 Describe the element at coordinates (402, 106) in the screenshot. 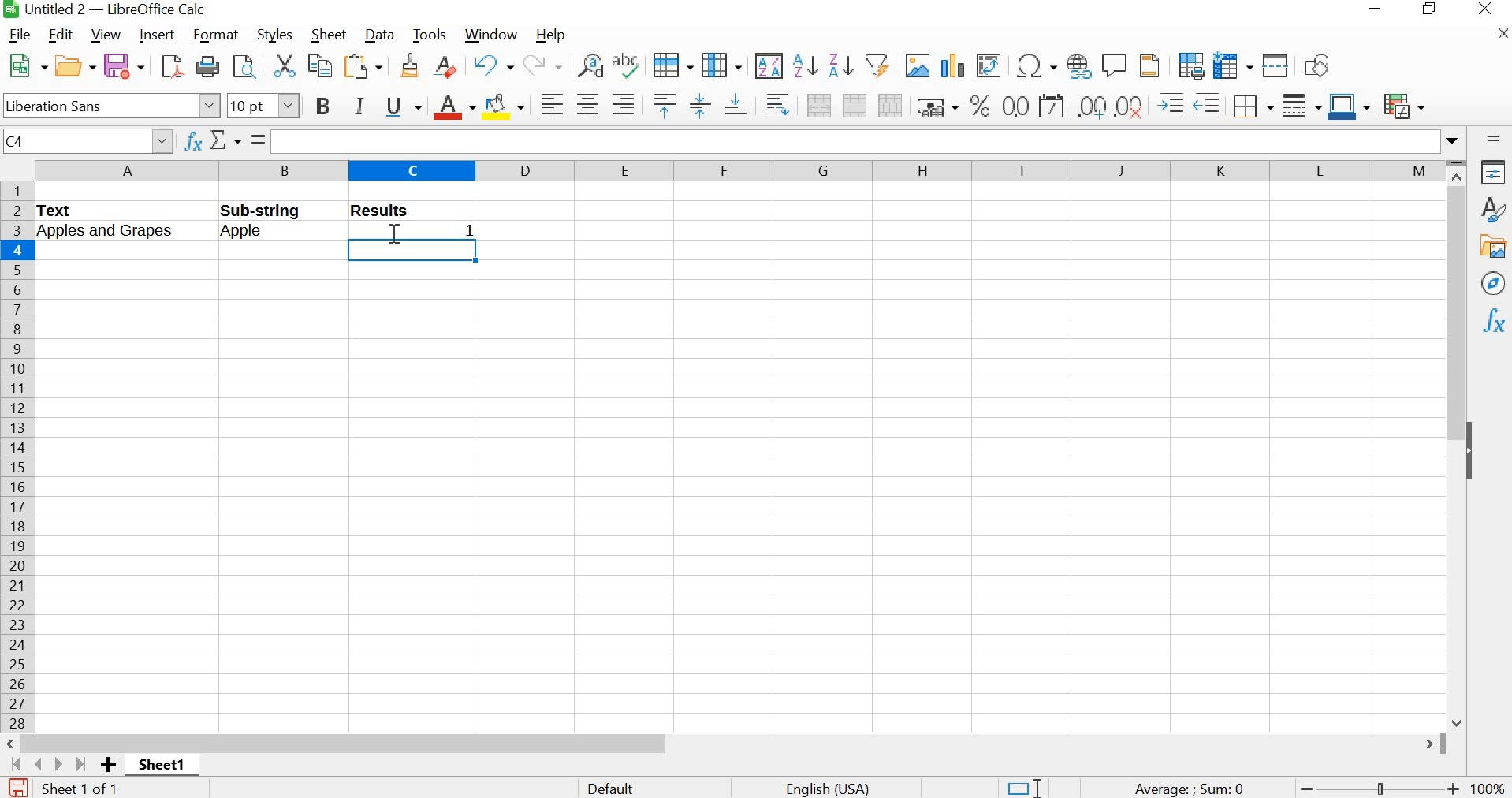

I see `underline` at that location.